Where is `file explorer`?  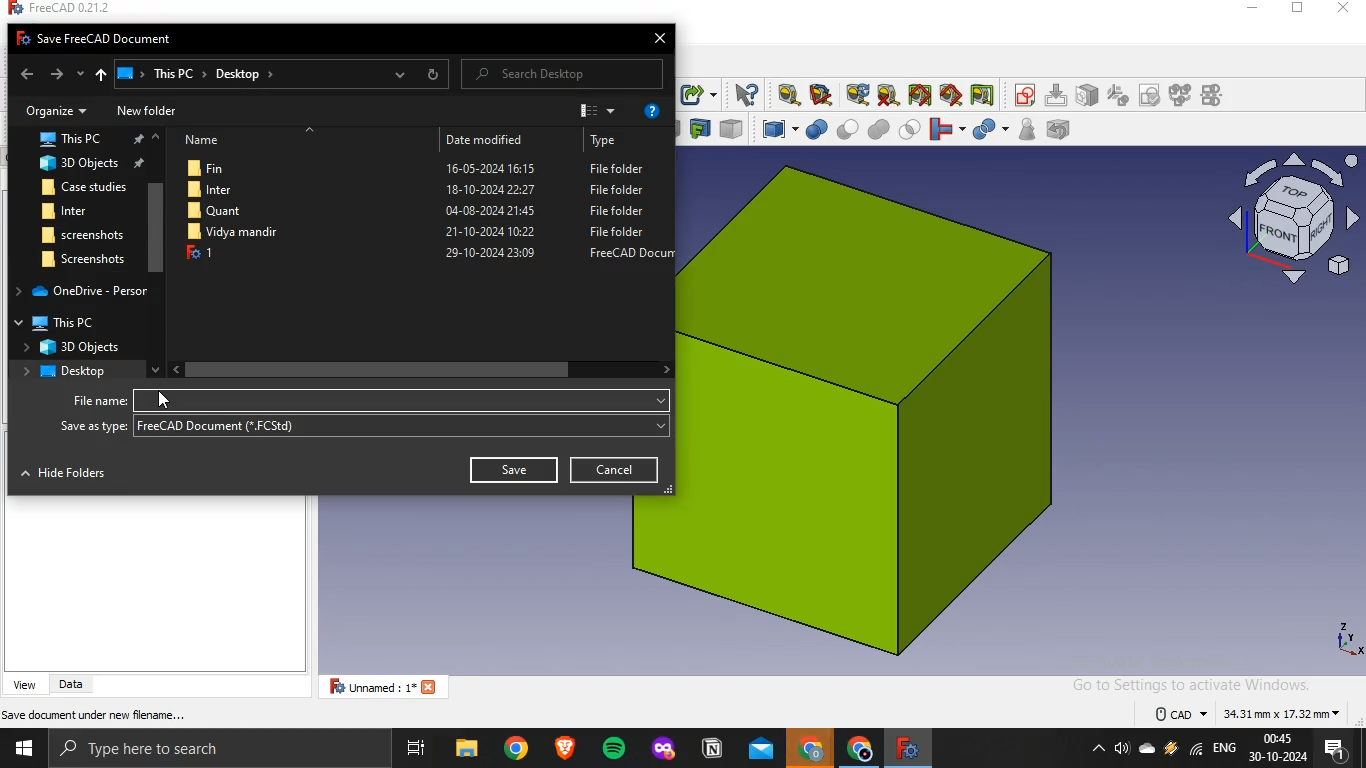 file explorer is located at coordinates (466, 748).